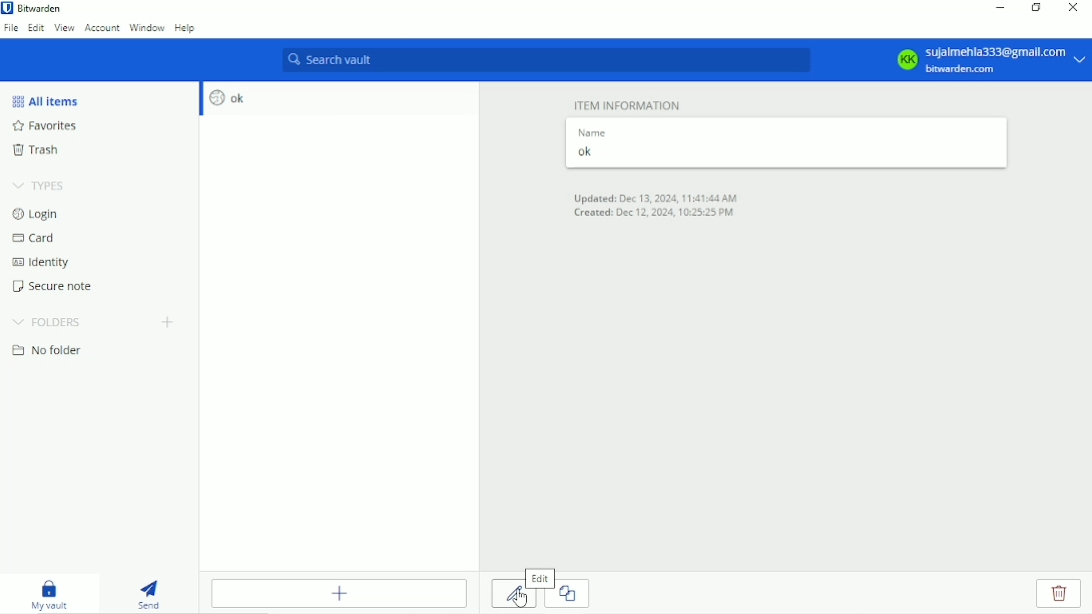 This screenshot has width=1092, height=614. What do you see at coordinates (7, 8) in the screenshot?
I see `bitwarden logo` at bounding box center [7, 8].